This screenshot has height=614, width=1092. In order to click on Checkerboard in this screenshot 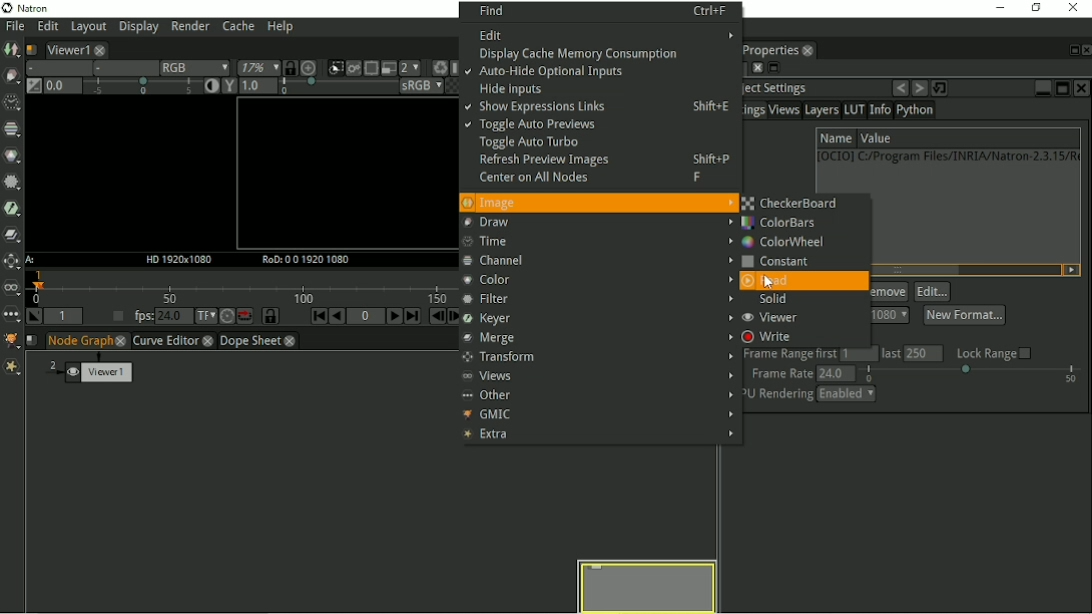, I will do `click(445, 87)`.